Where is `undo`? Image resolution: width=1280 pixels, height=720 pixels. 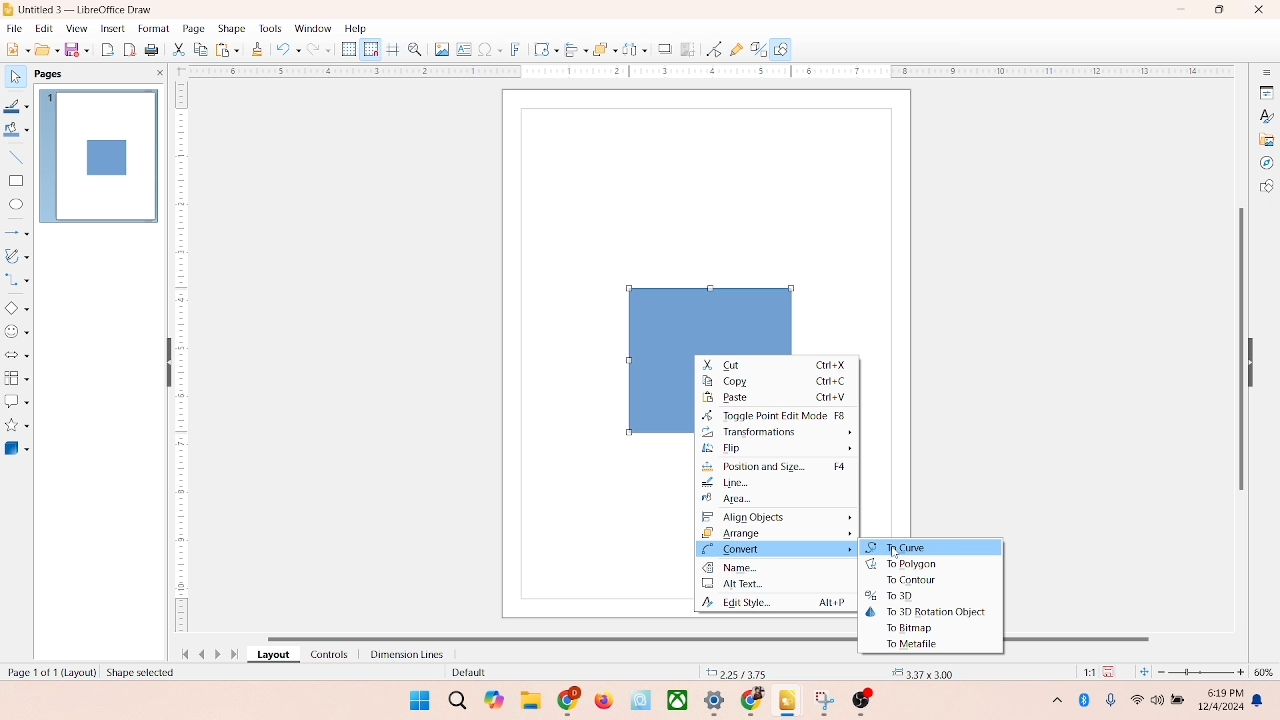 undo is located at coordinates (288, 51).